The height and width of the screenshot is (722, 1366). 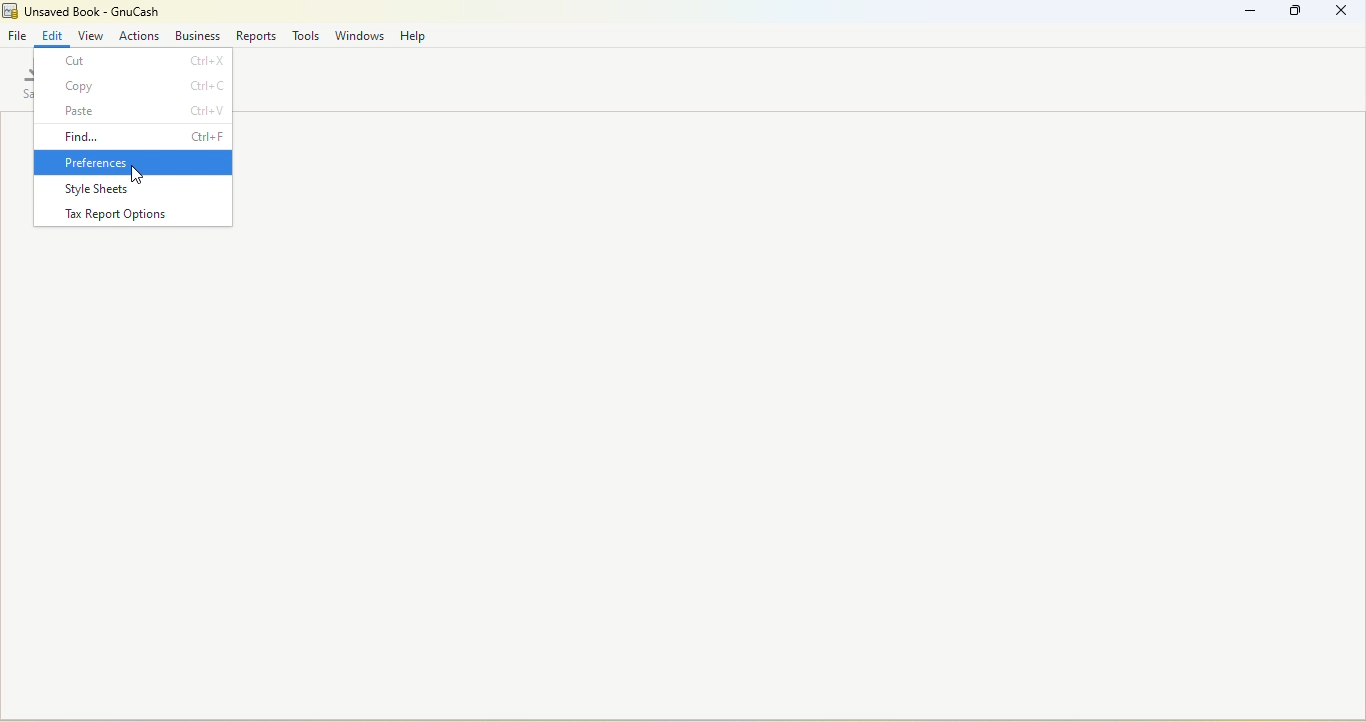 What do you see at coordinates (132, 161) in the screenshot?
I see `Preferences` at bounding box center [132, 161].